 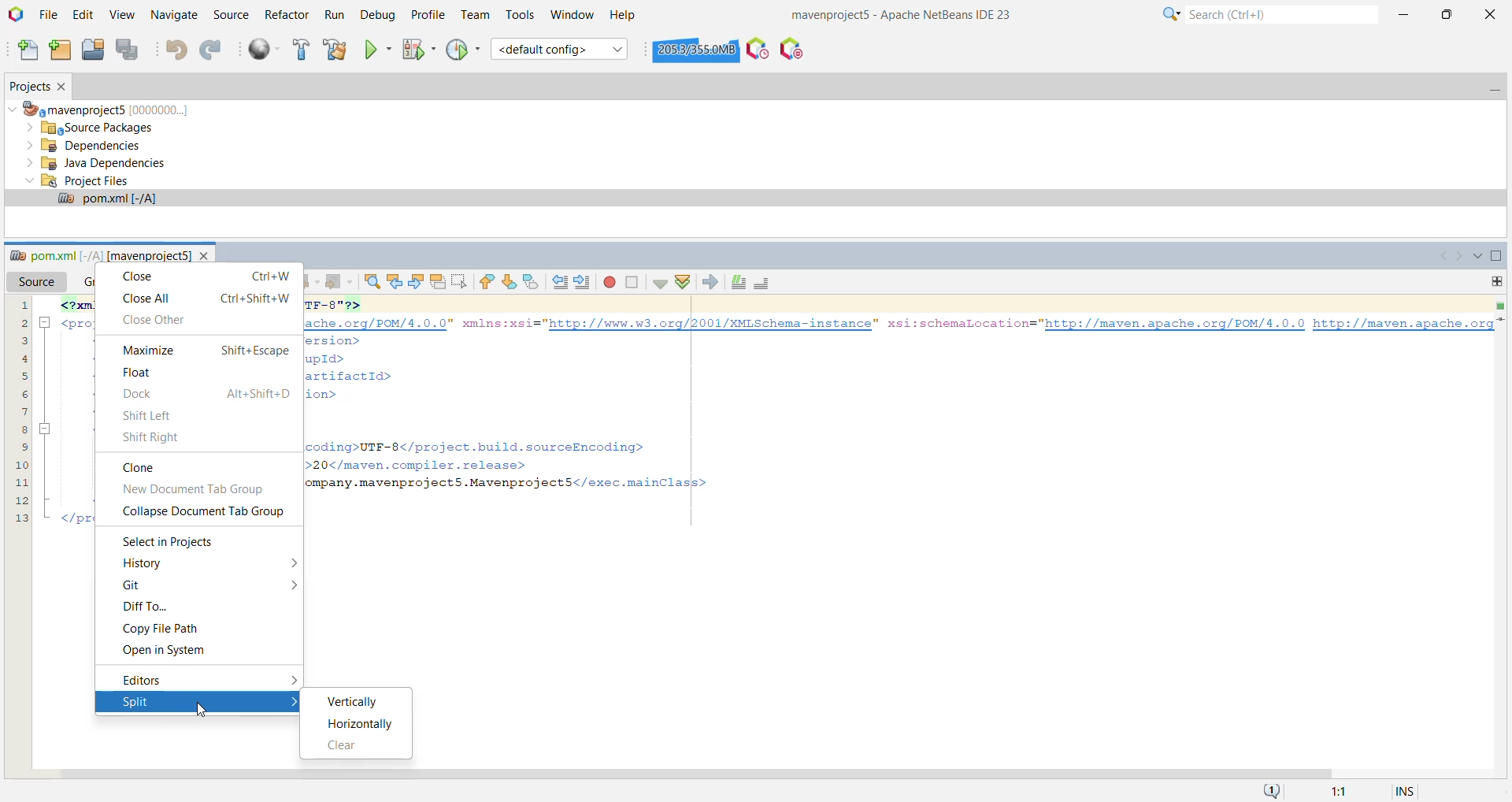 What do you see at coordinates (167, 679) in the screenshot?
I see `Editors` at bounding box center [167, 679].